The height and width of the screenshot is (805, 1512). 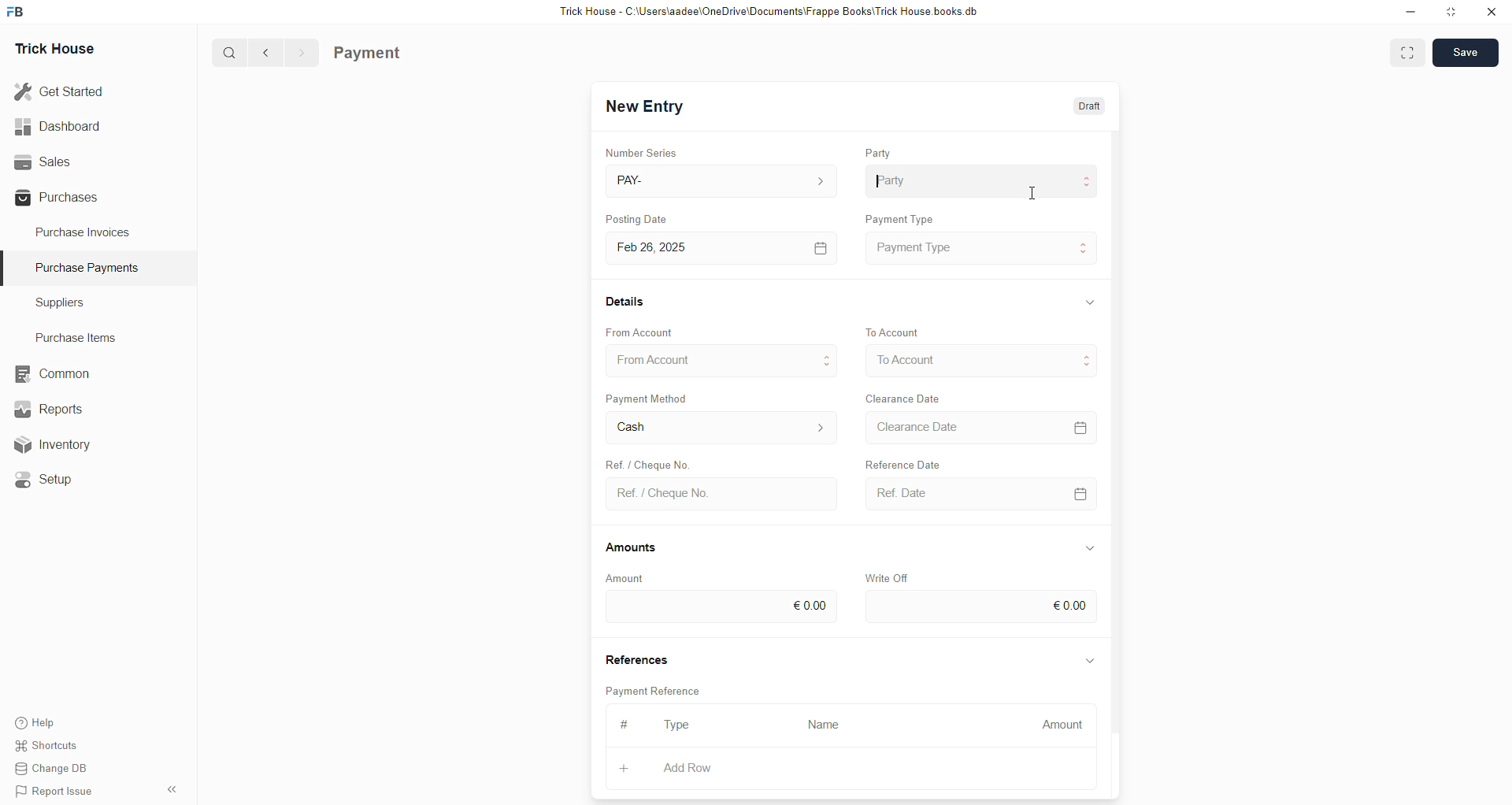 What do you see at coordinates (17, 9) in the screenshot?
I see `frappebooks logo` at bounding box center [17, 9].